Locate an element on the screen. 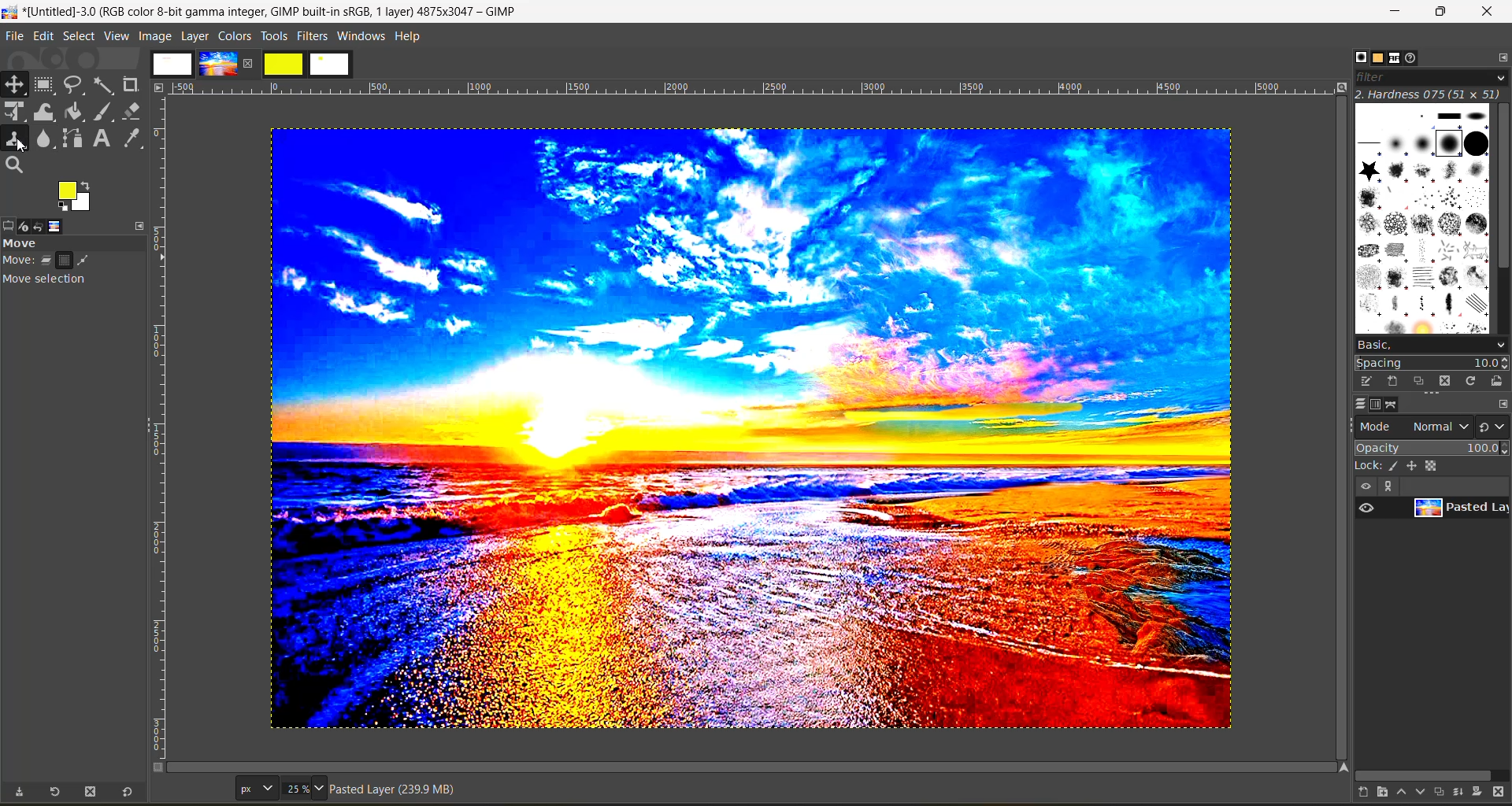 This screenshot has height=806, width=1512. vertical scroll bar is located at coordinates (1503, 188).